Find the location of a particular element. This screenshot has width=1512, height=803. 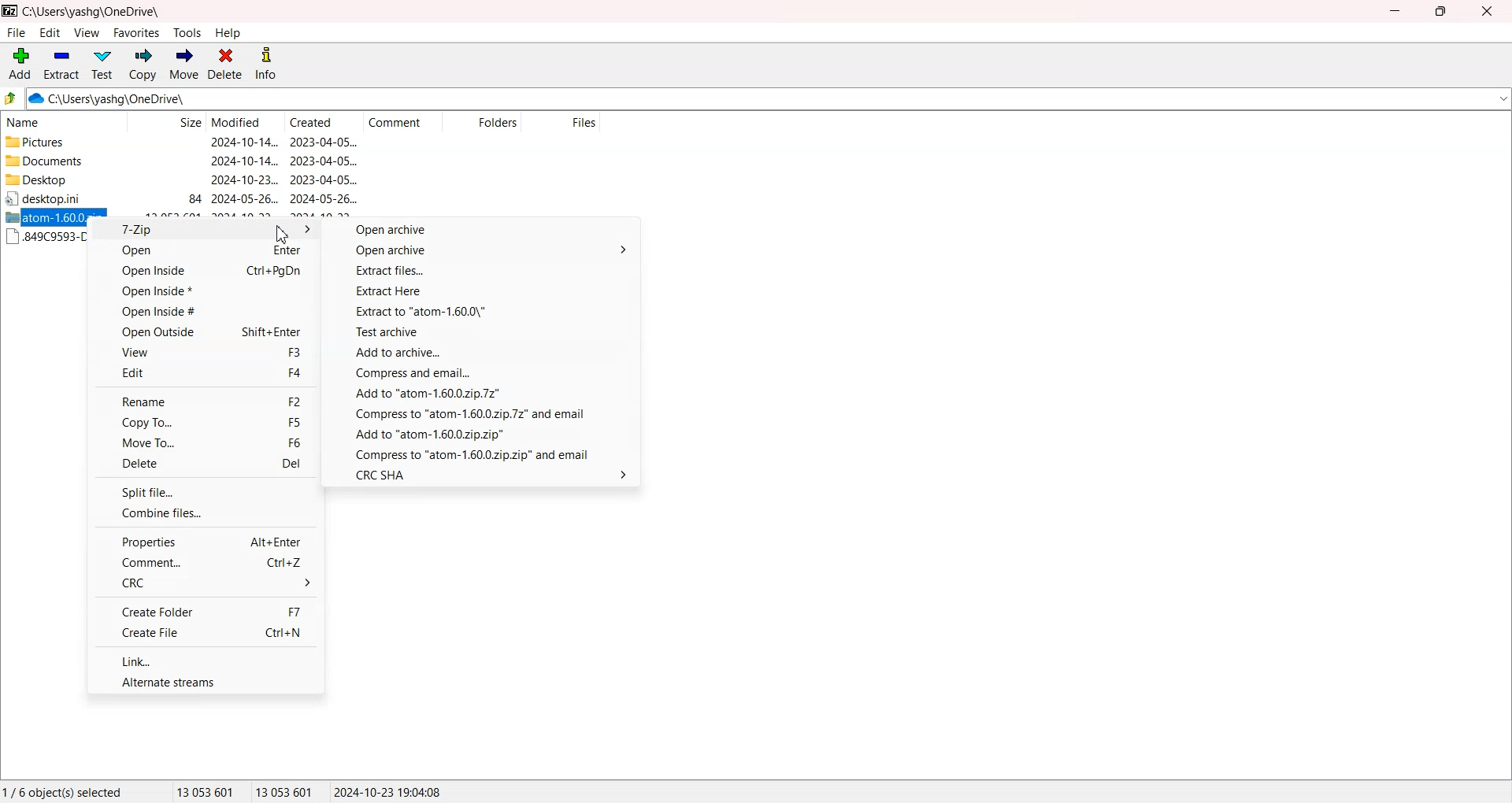

Edit is located at coordinates (205, 372).